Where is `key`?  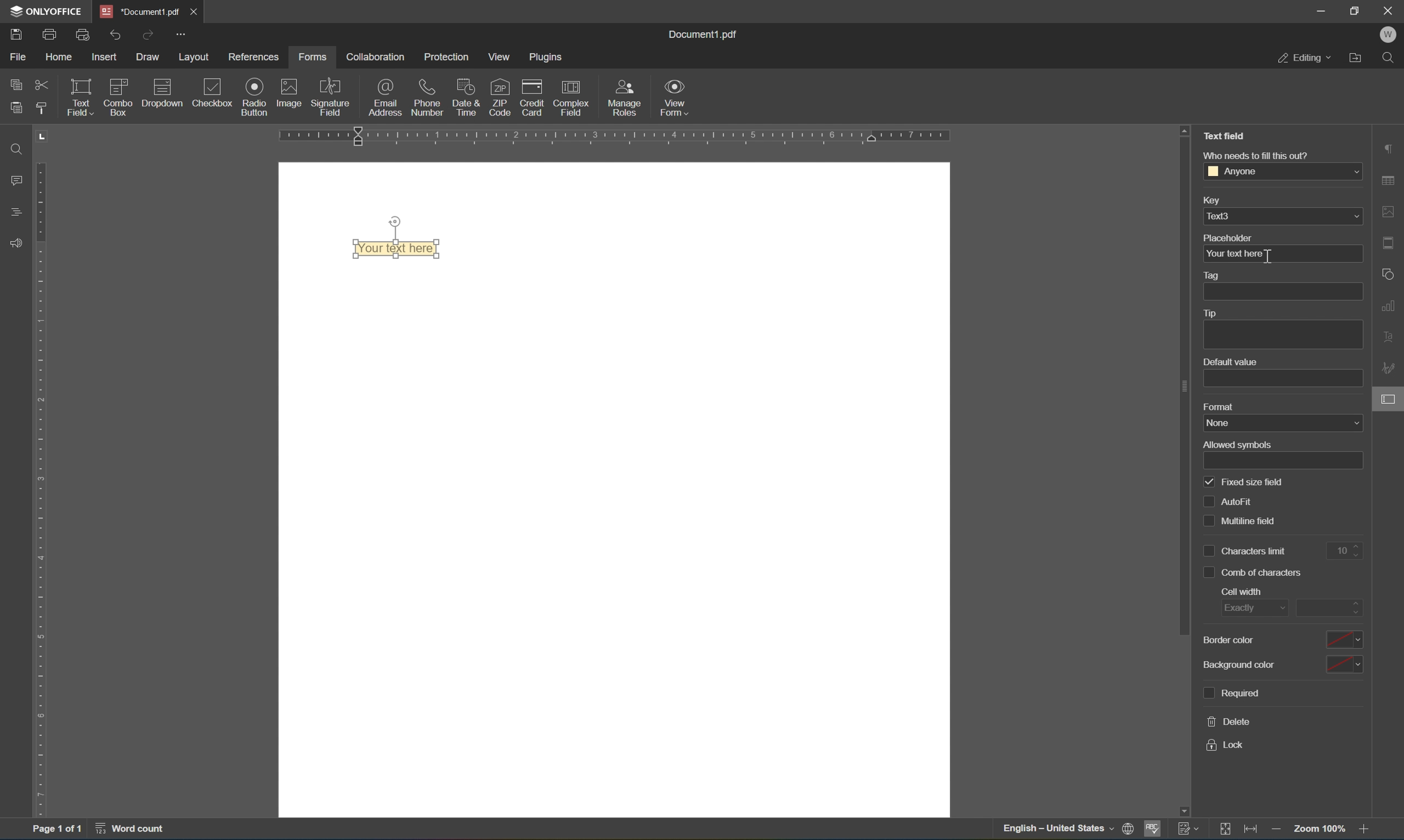 key is located at coordinates (1219, 200).